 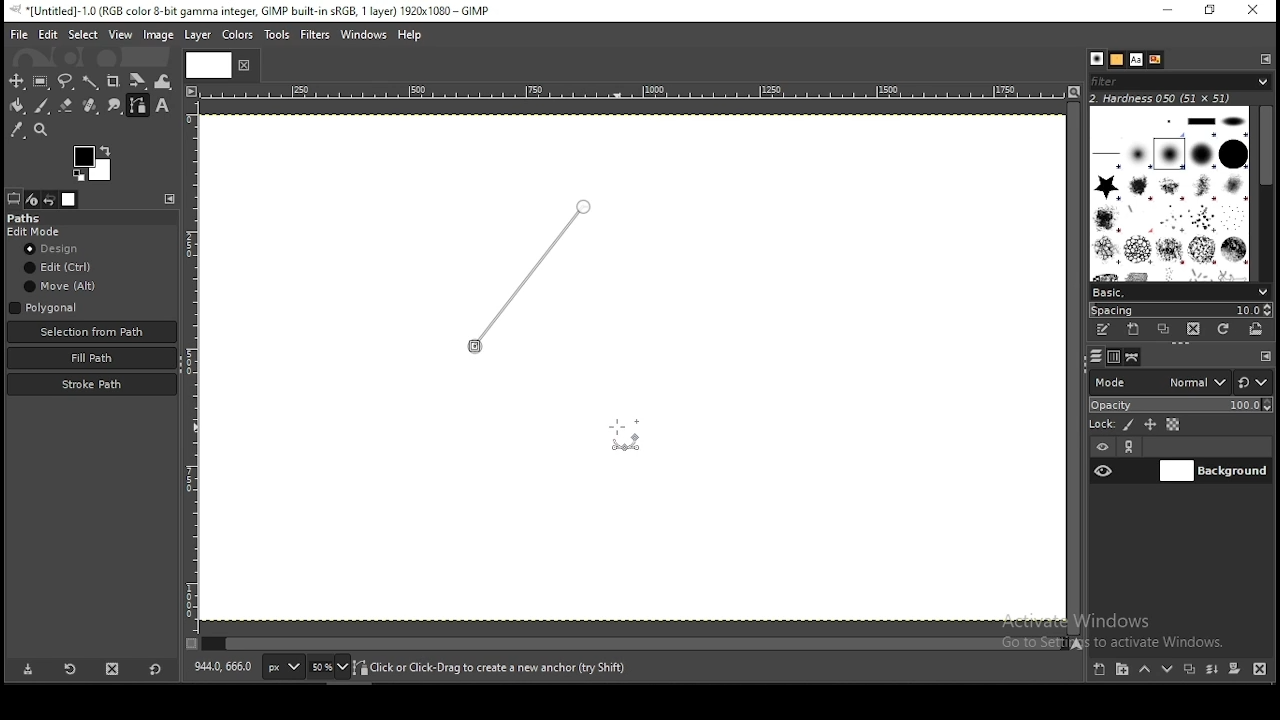 What do you see at coordinates (165, 108) in the screenshot?
I see ` text tool` at bounding box center [165, 108].